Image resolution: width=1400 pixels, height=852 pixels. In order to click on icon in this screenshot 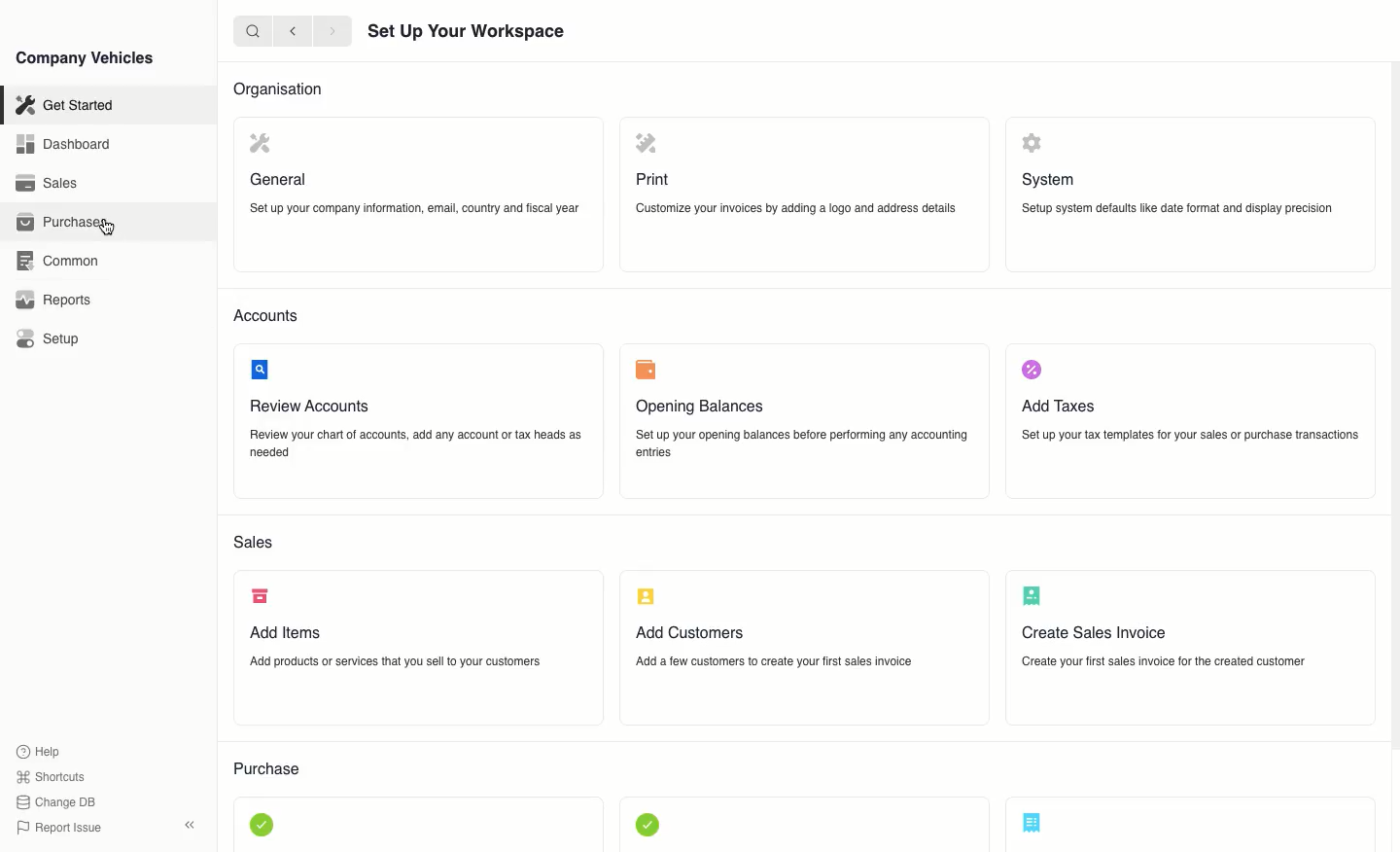, I will do `click(647, 597)`.